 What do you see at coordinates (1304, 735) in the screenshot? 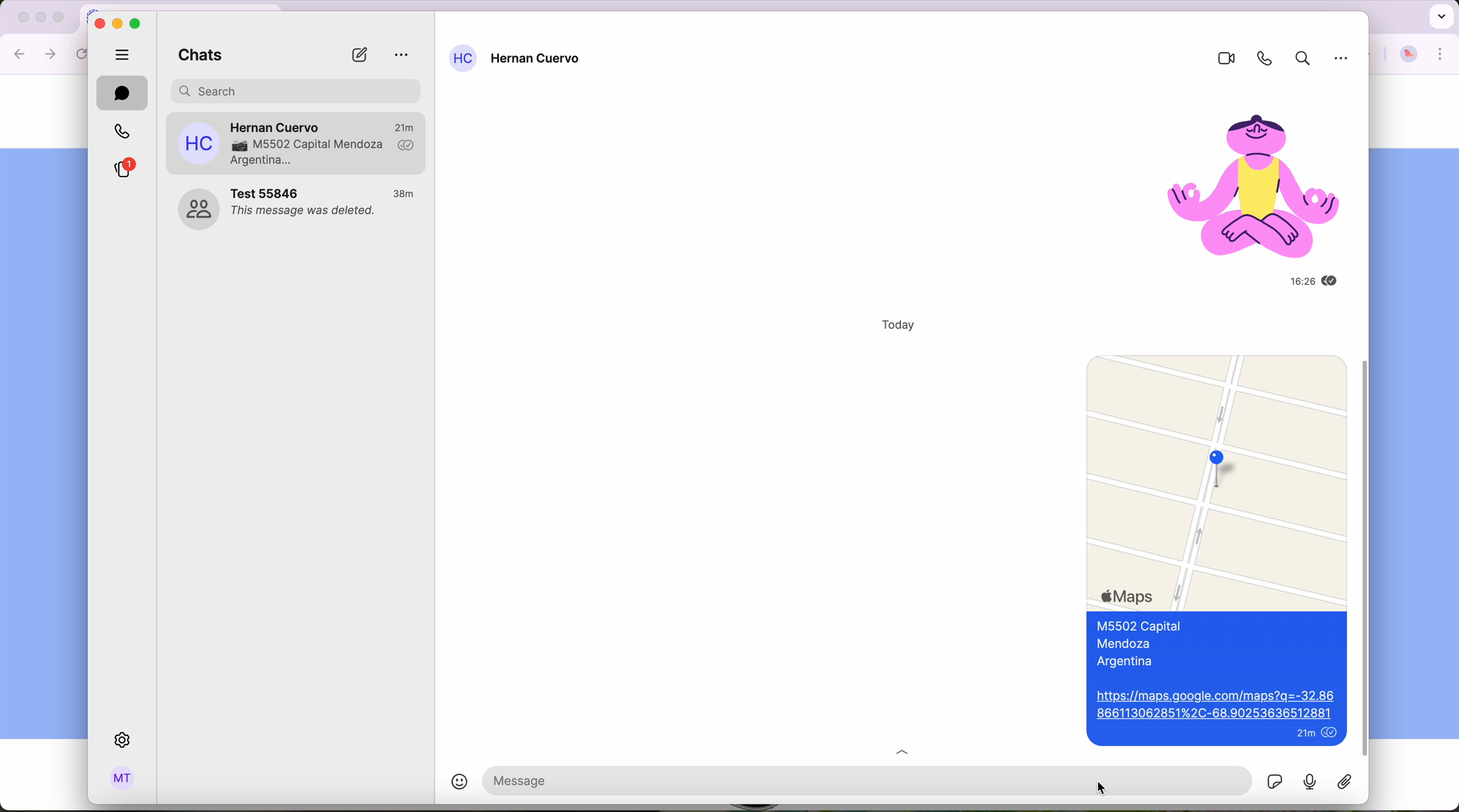
I see `21m` at bounding box center [1304, 735].